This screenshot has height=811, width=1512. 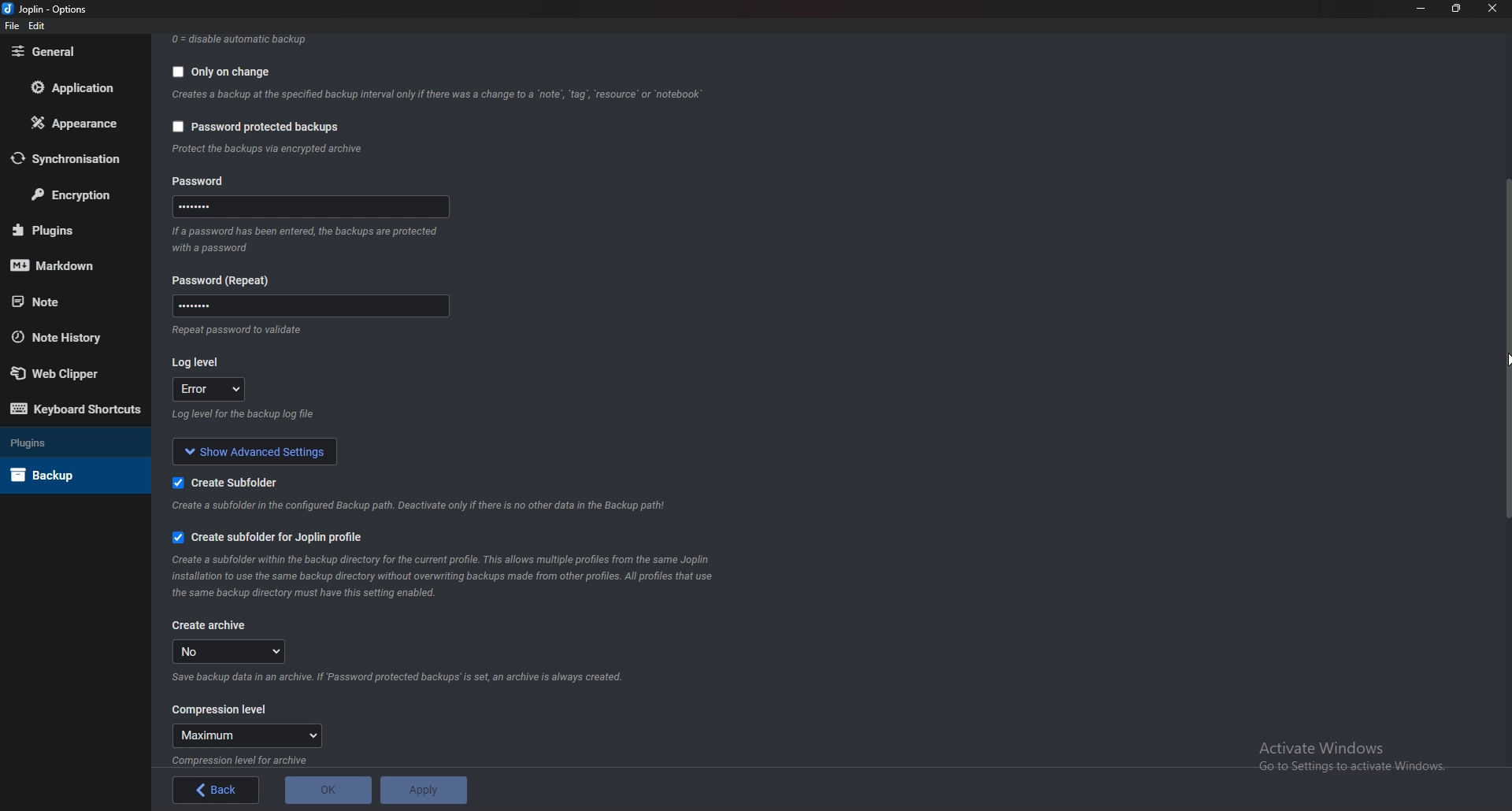 I want to click on Plugins, so click(x=71, y=229).